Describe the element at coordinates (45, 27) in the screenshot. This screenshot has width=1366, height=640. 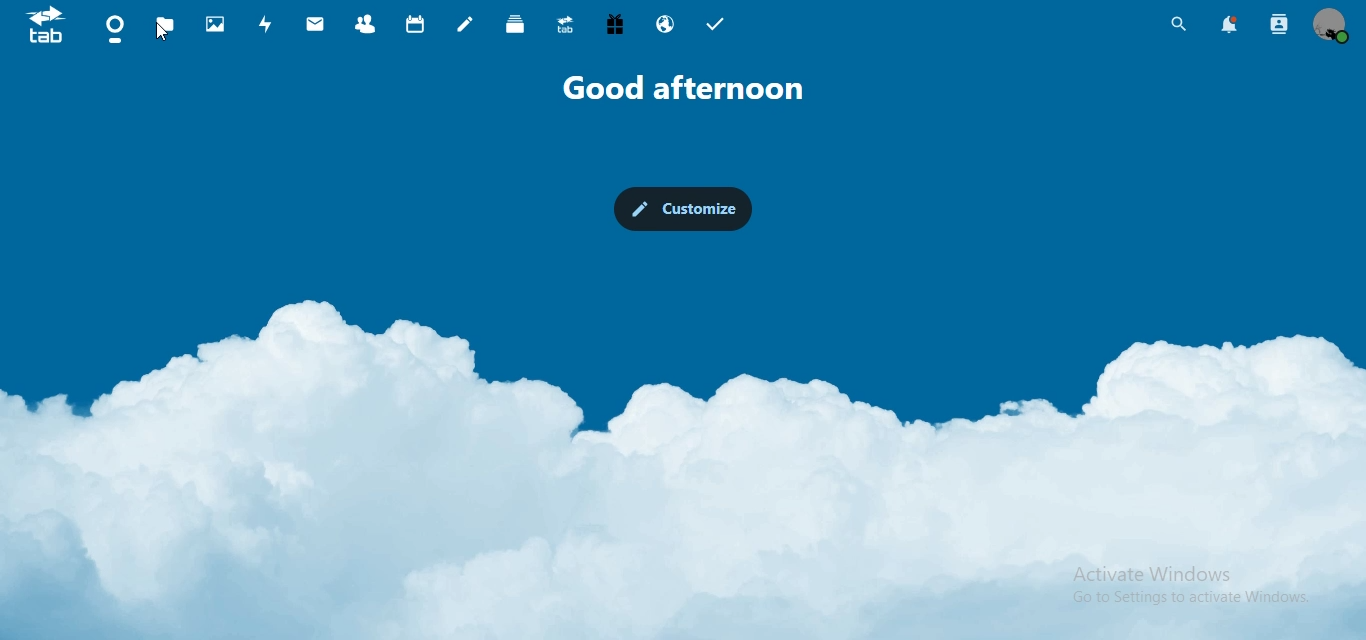
I see `icon` at that location.